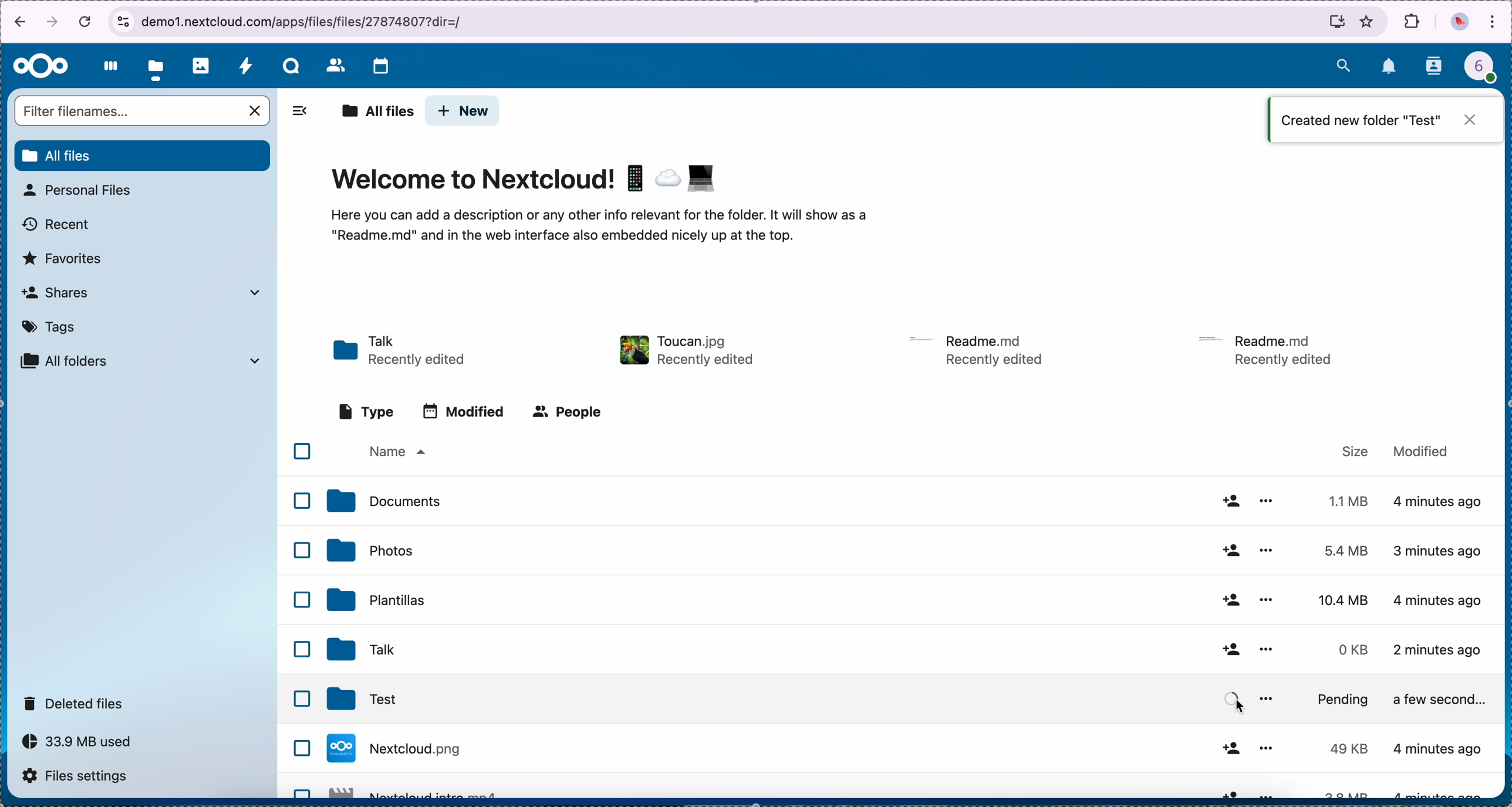 Image resolution: width=1512 pixels, height=807 pixels. I want to click on 4 minutes ago, so click(1440, 551).